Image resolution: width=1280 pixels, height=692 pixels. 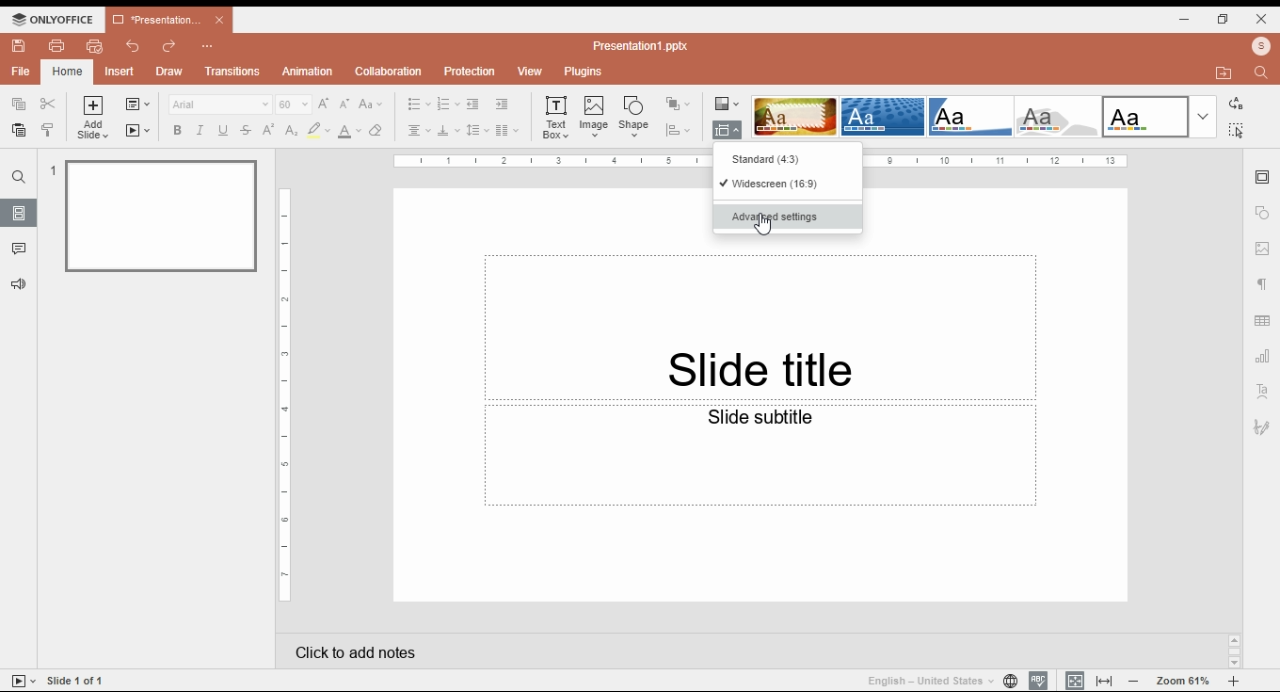 What do you see at coordinates (469, 72) in the screenshot?
I see `protection` at bounding box center [469, 72].